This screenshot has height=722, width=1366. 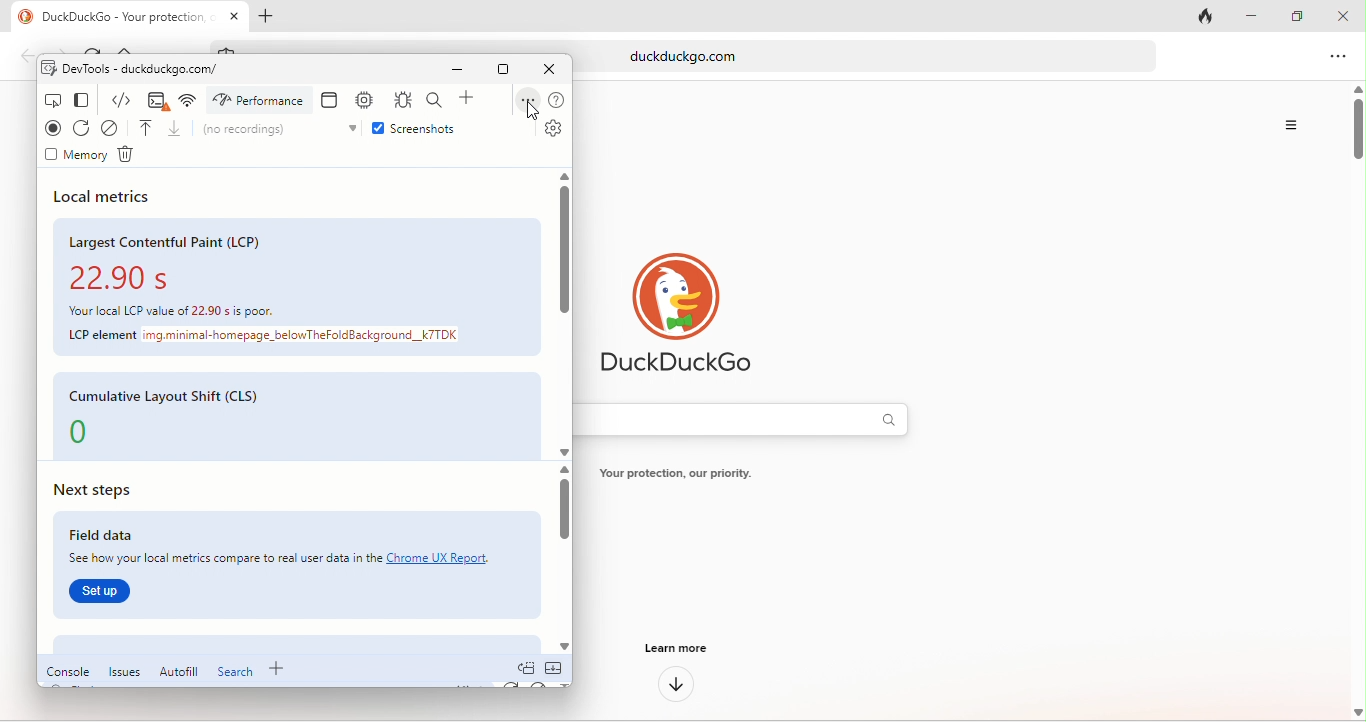 What do you see at coordinates (507, 70) in the screenshot?
I see `maximize` at bounding box center [507, 70].